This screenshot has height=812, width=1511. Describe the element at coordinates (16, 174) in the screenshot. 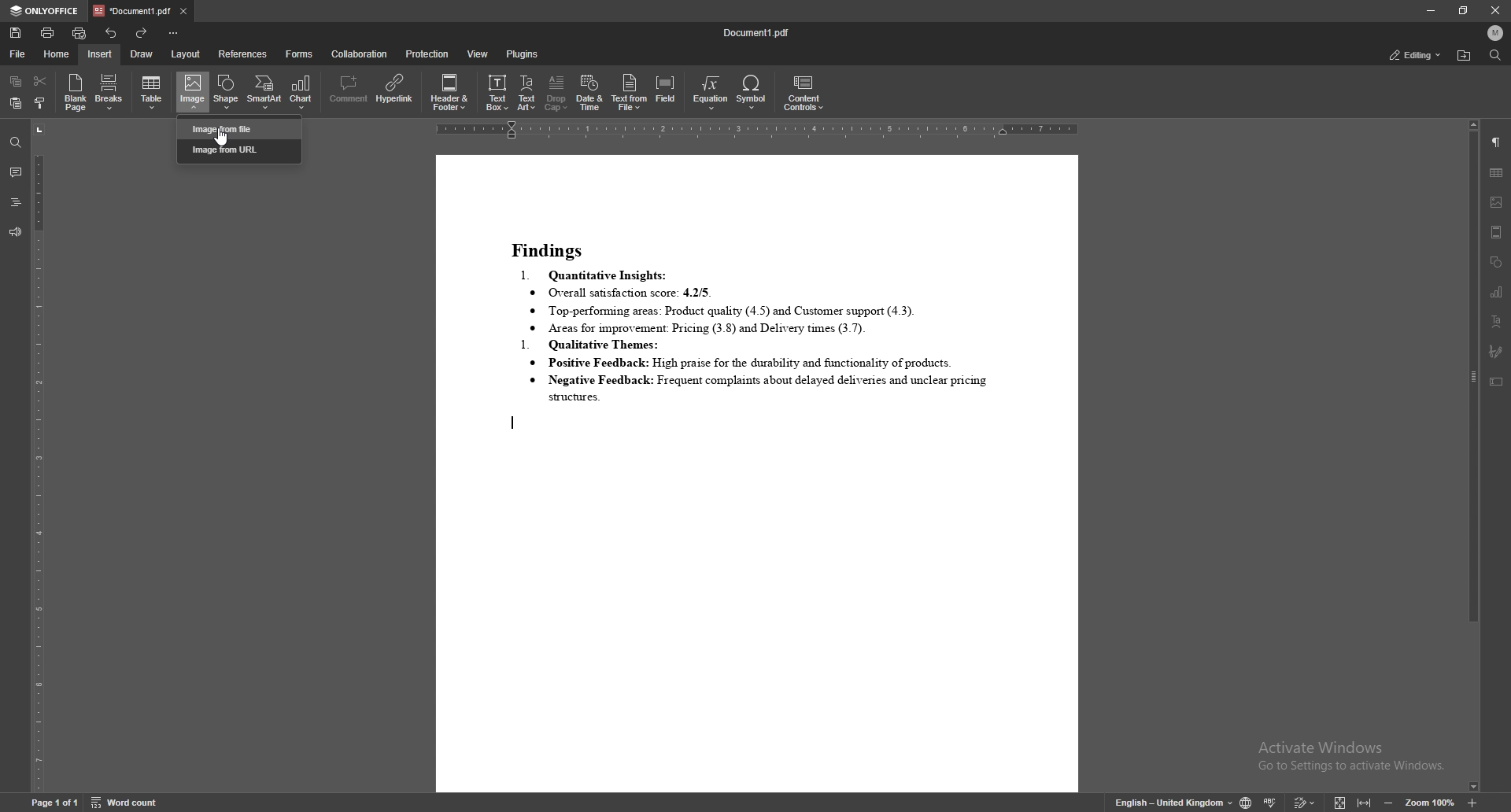

I see `comment` at that location.